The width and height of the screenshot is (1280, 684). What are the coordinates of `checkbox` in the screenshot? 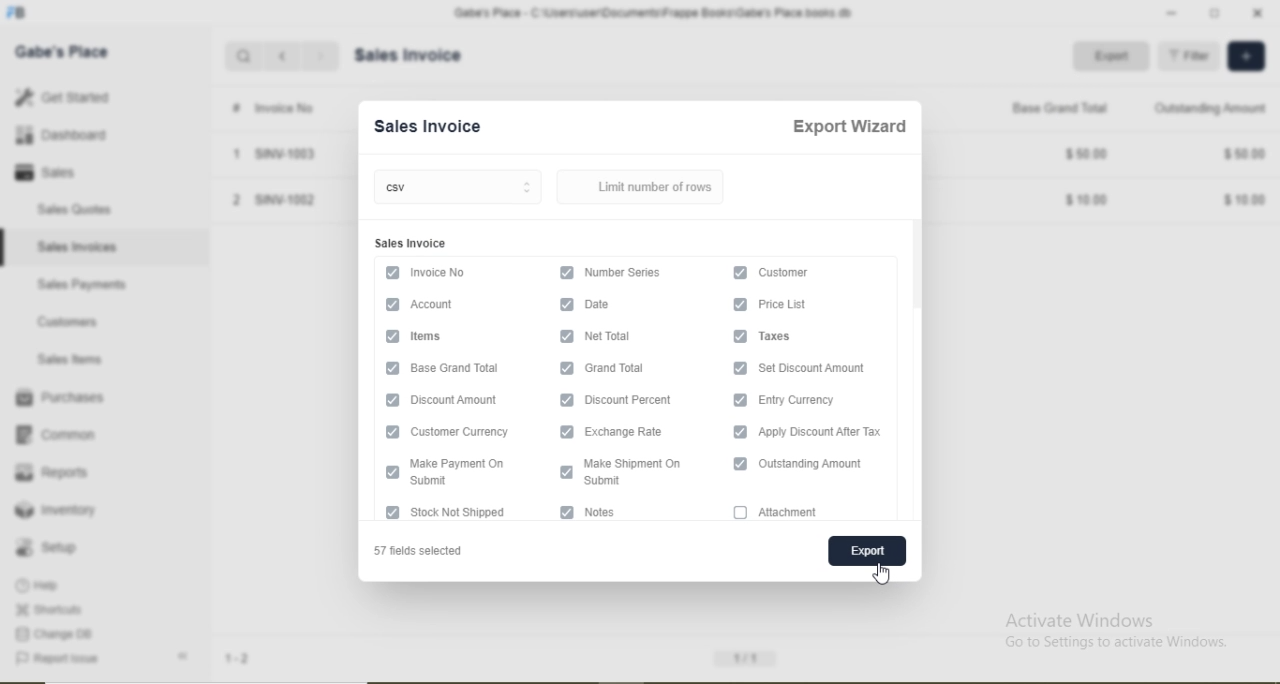 It's located at (392, 471).